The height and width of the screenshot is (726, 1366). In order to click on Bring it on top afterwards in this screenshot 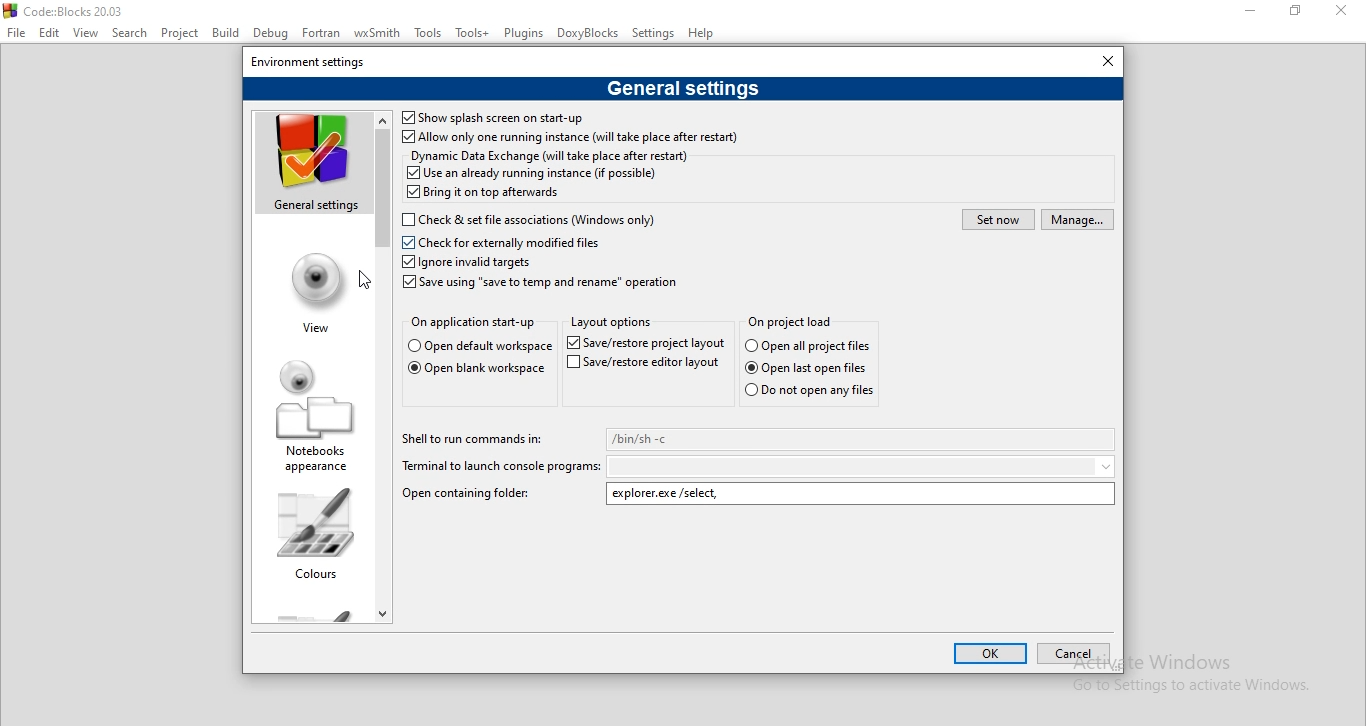, I will do `click(490, 194)`.